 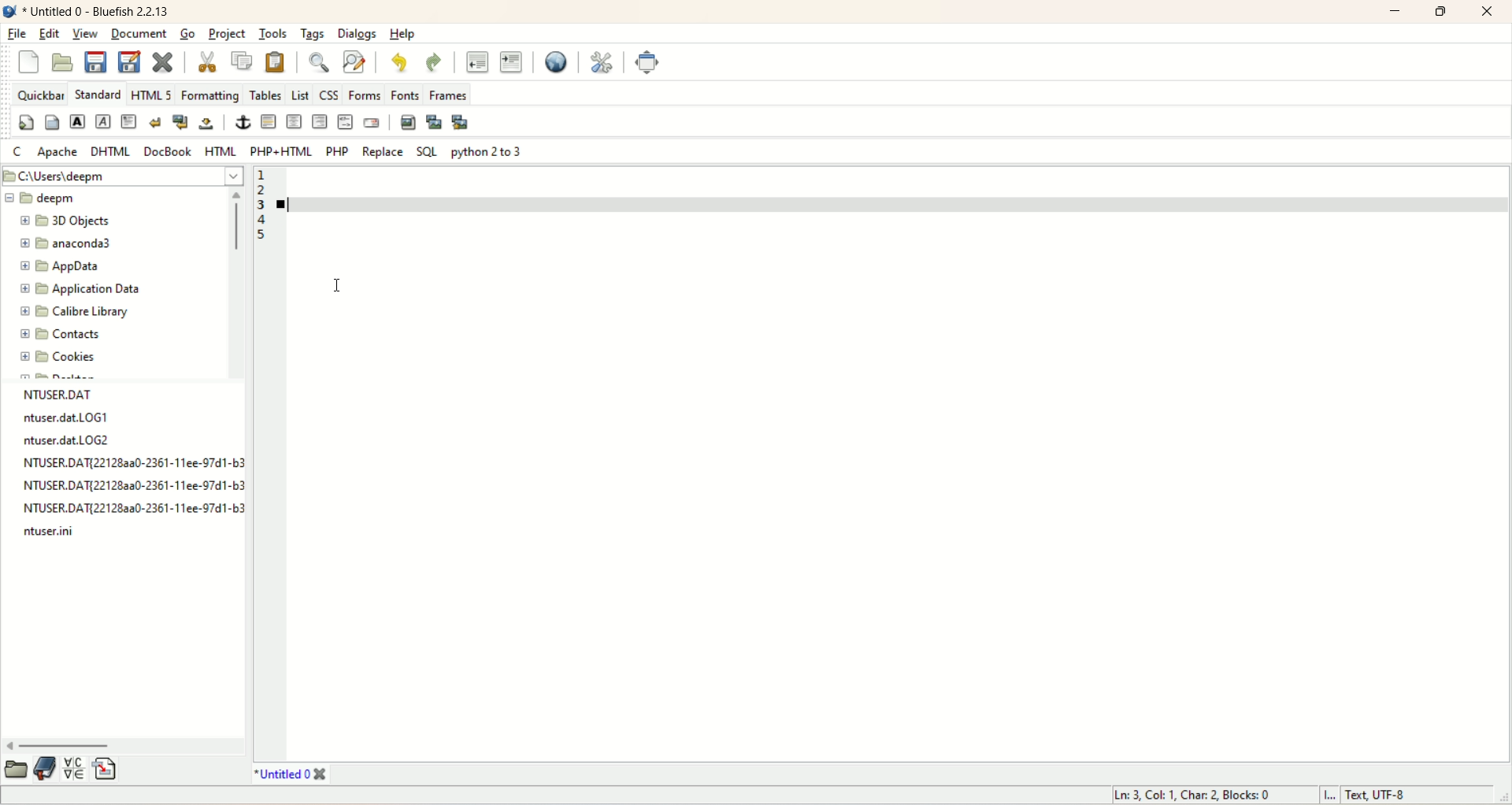 I want to click on help, so click(x=402, y=34).